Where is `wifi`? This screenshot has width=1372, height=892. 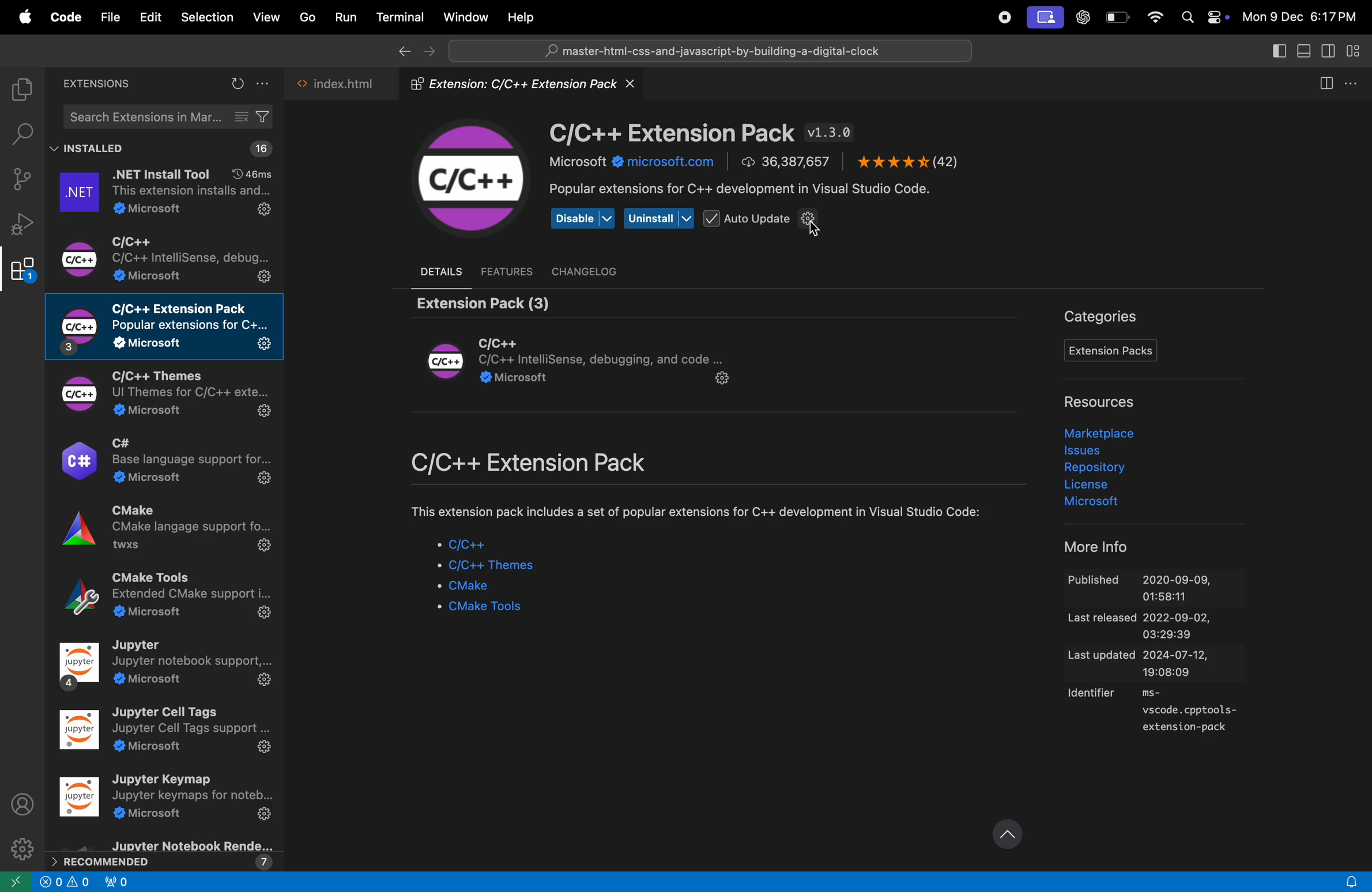
wifi is located at coordinates (1153, 18).